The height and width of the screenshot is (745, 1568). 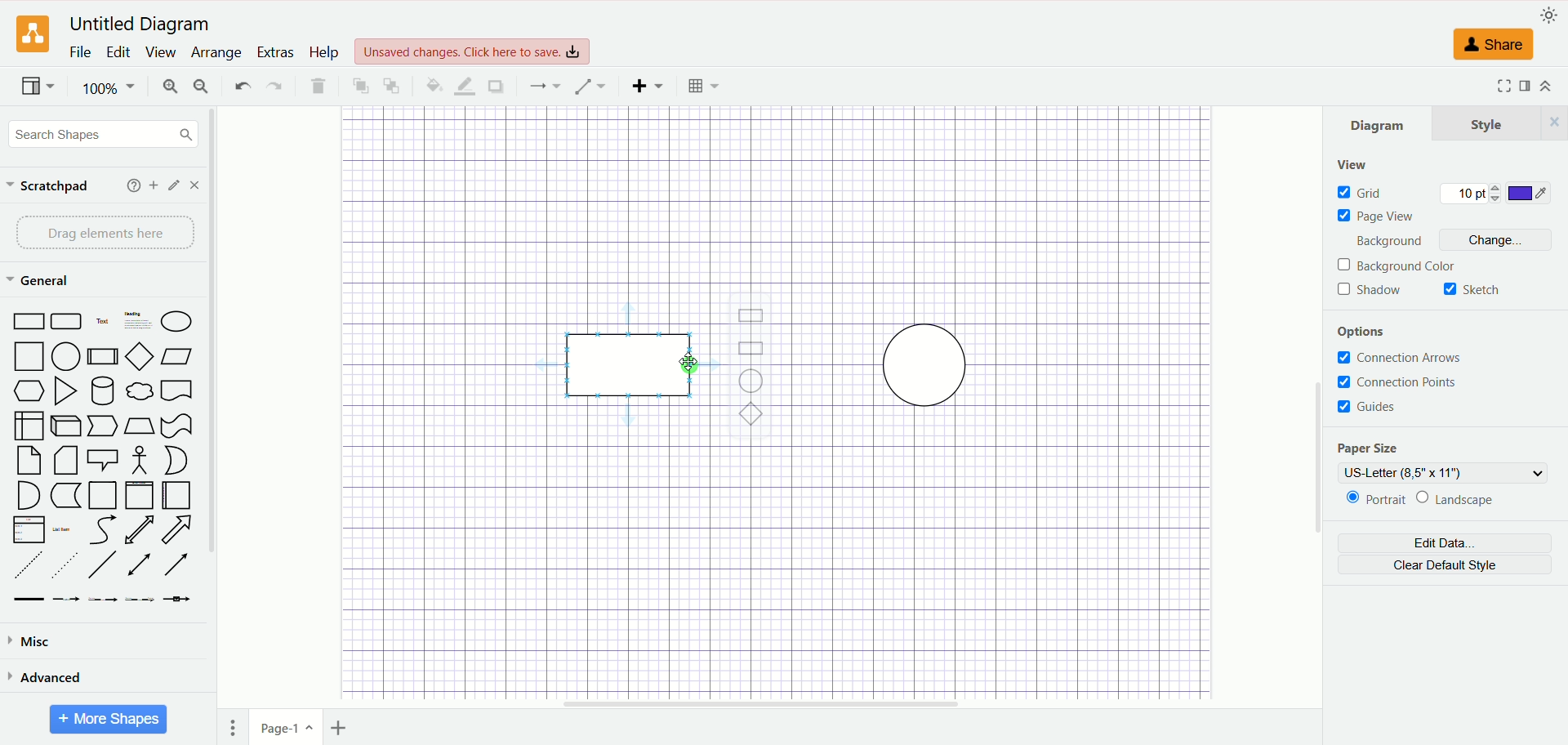 I want to click on undo, so click(x=239, y=85).